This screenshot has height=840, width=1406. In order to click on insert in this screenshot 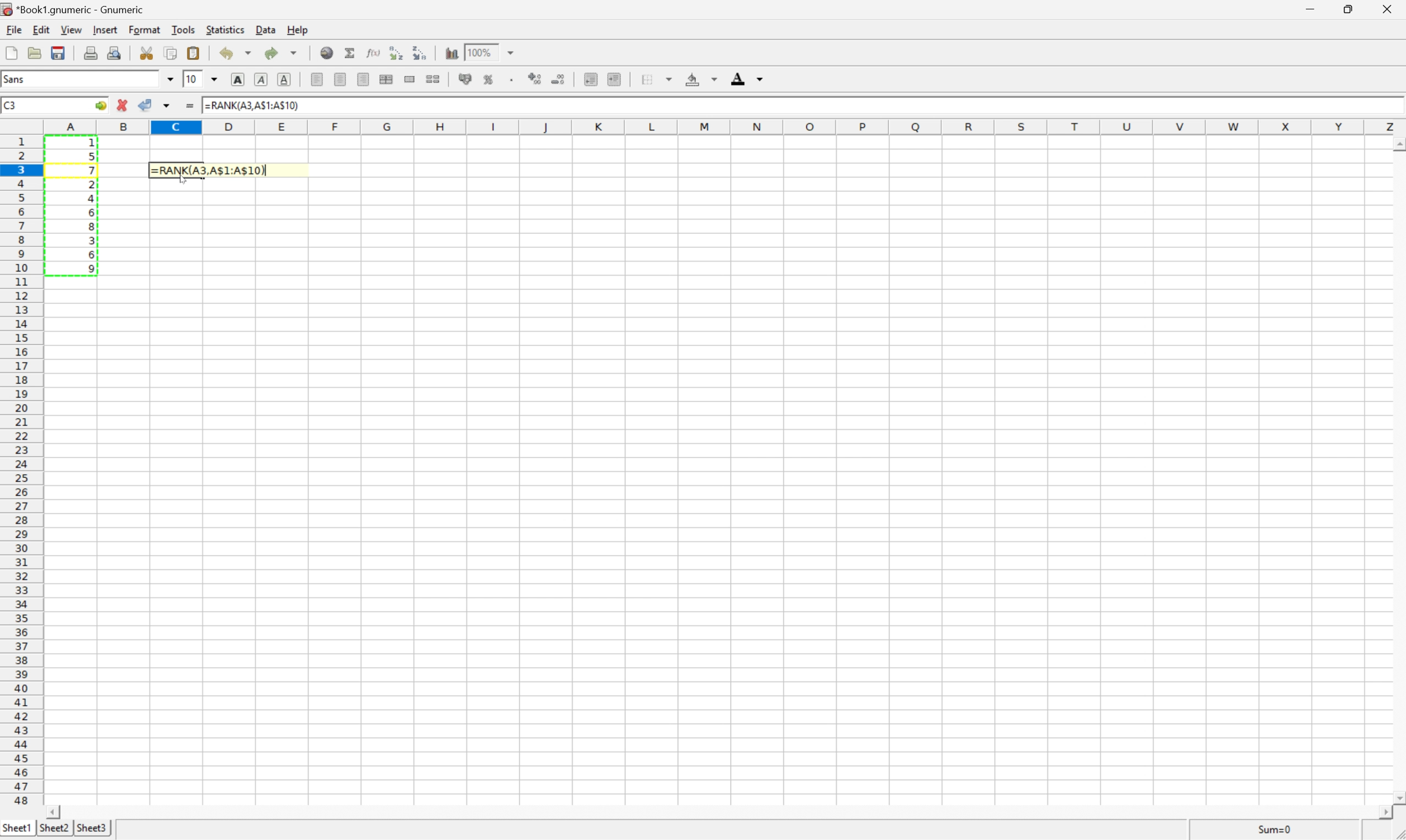, I will do `click(106, 28)`.